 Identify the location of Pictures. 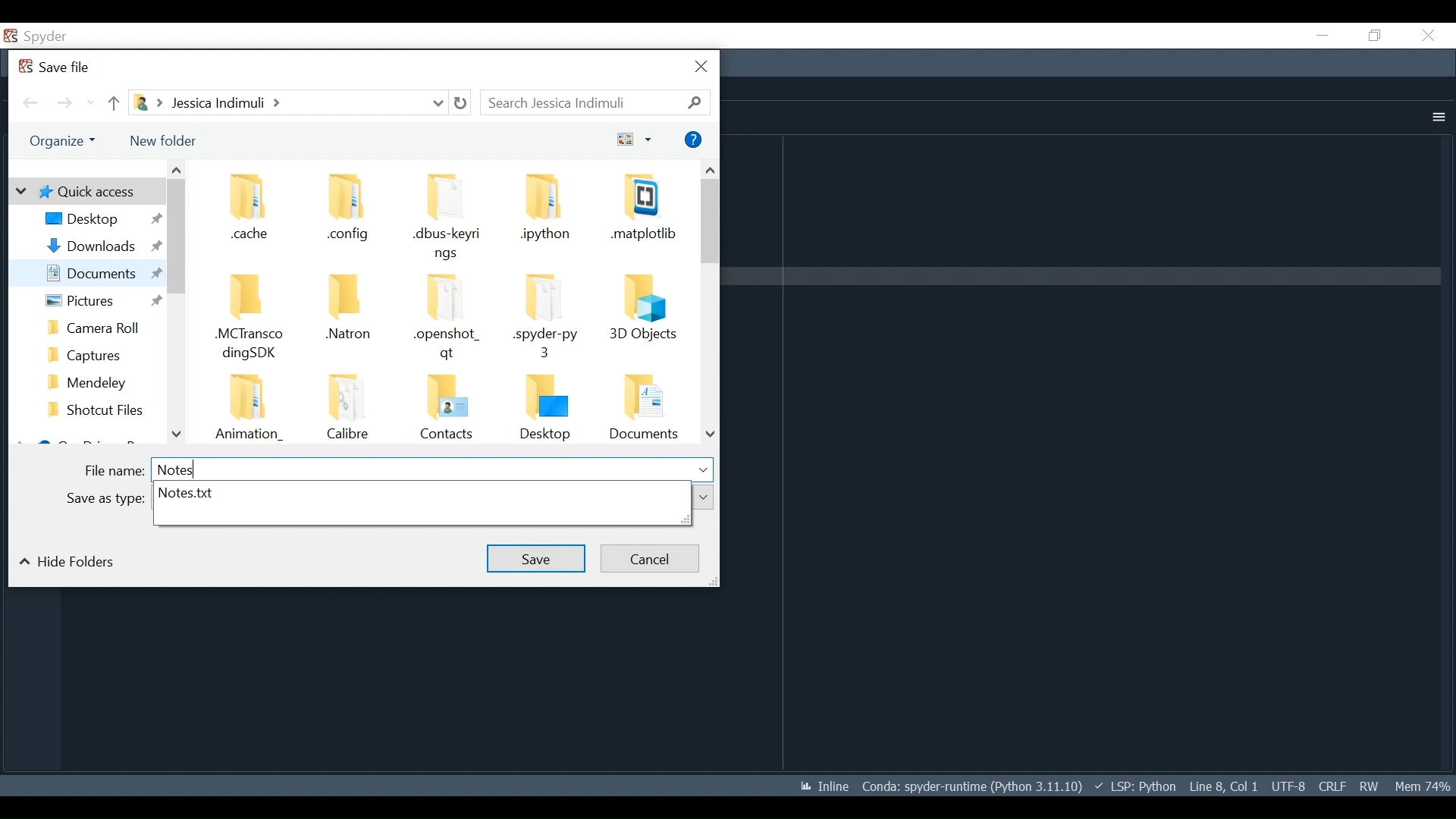
(95, 301).